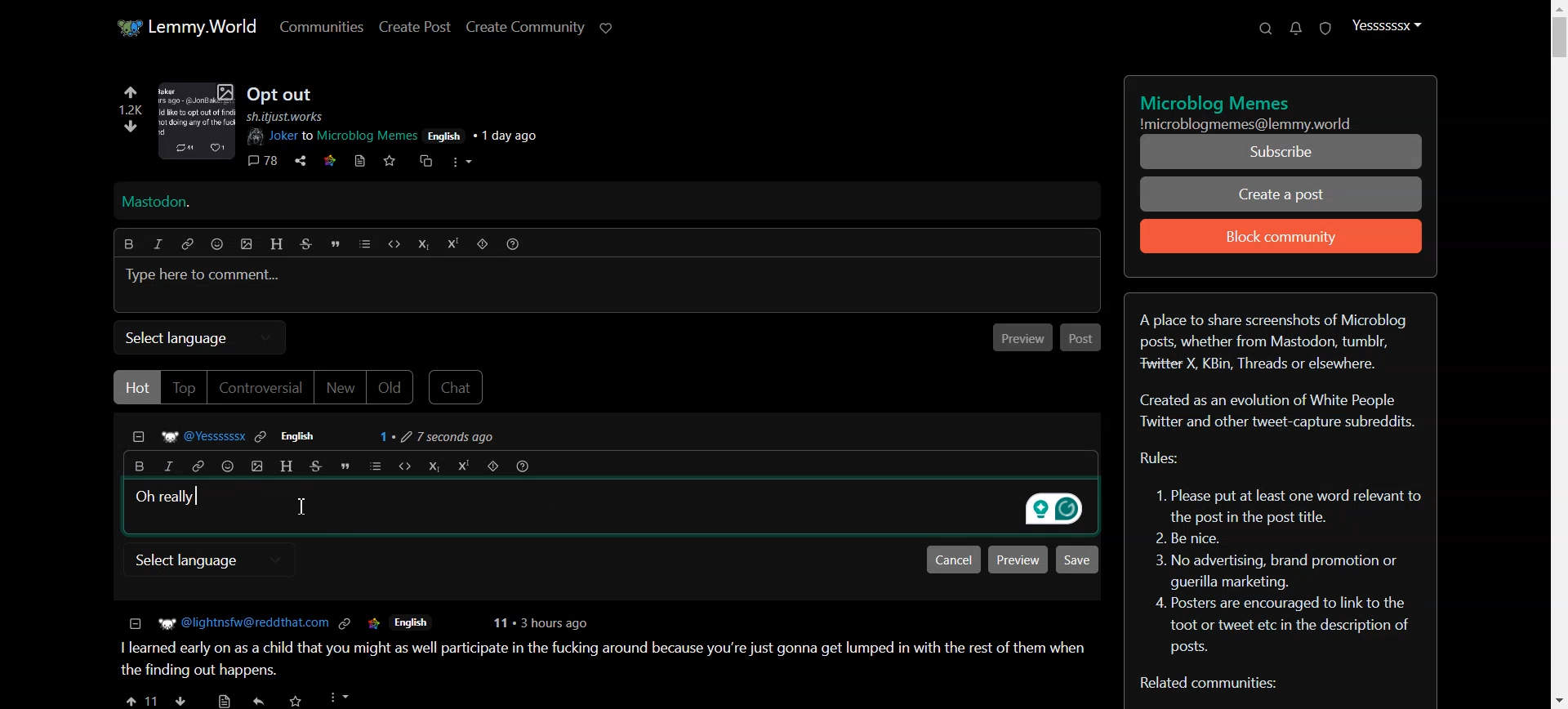 The image size is (1568, 709). Describe the element at coordinates (277, 244) in the screenshot. I see `Header` at that location.